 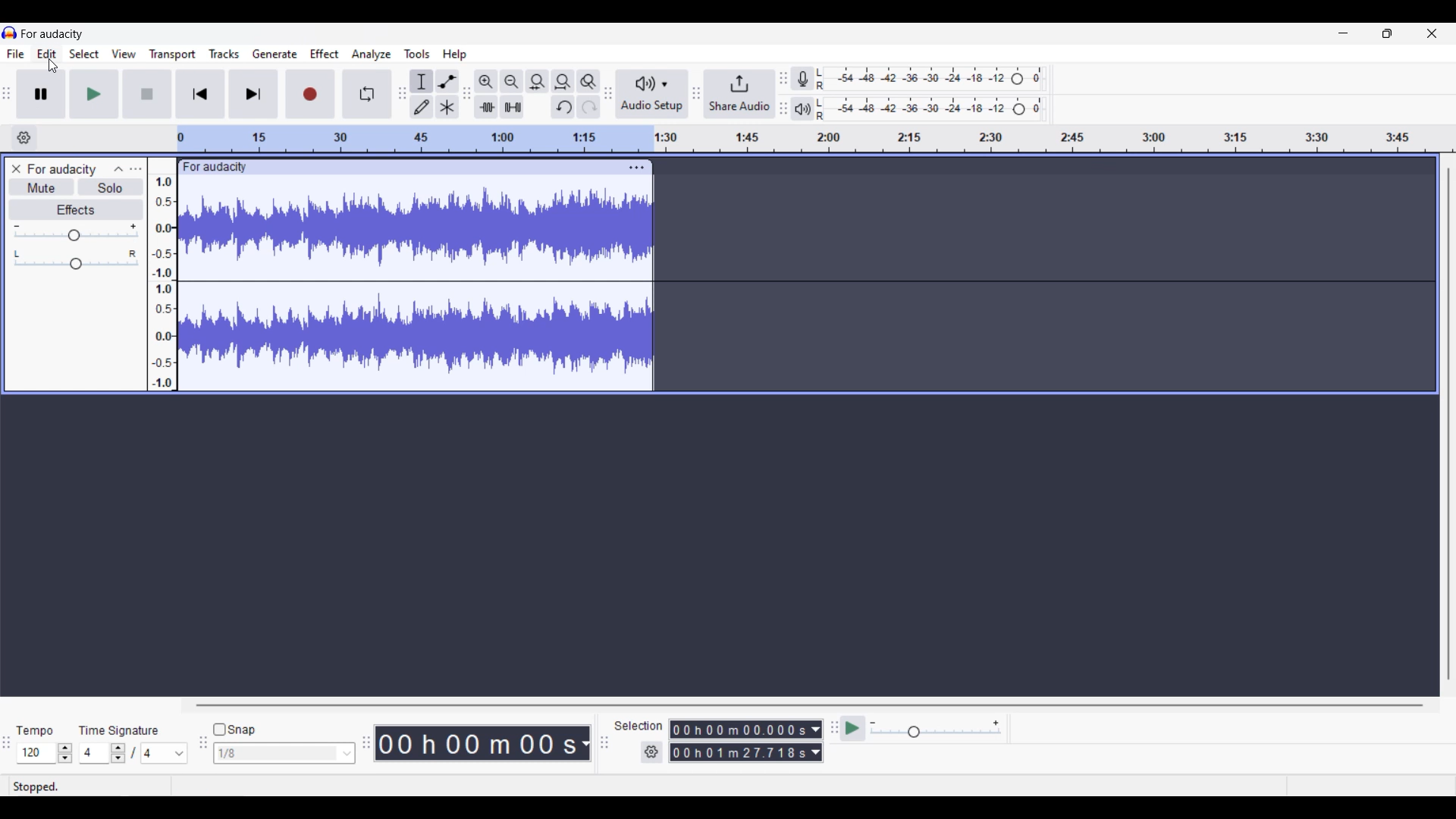 I want to click on Pause, so click(x=41, y=94).